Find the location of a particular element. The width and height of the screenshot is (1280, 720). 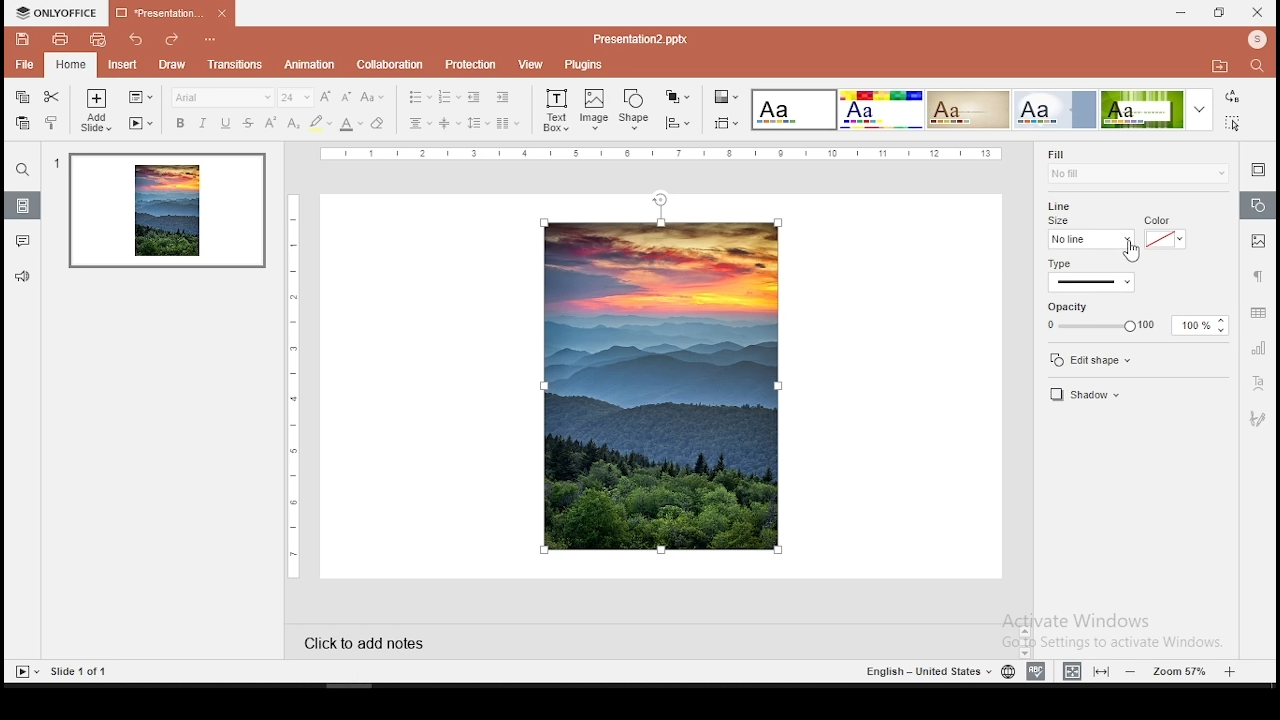

change color theme is located at coordinates (726, 96).